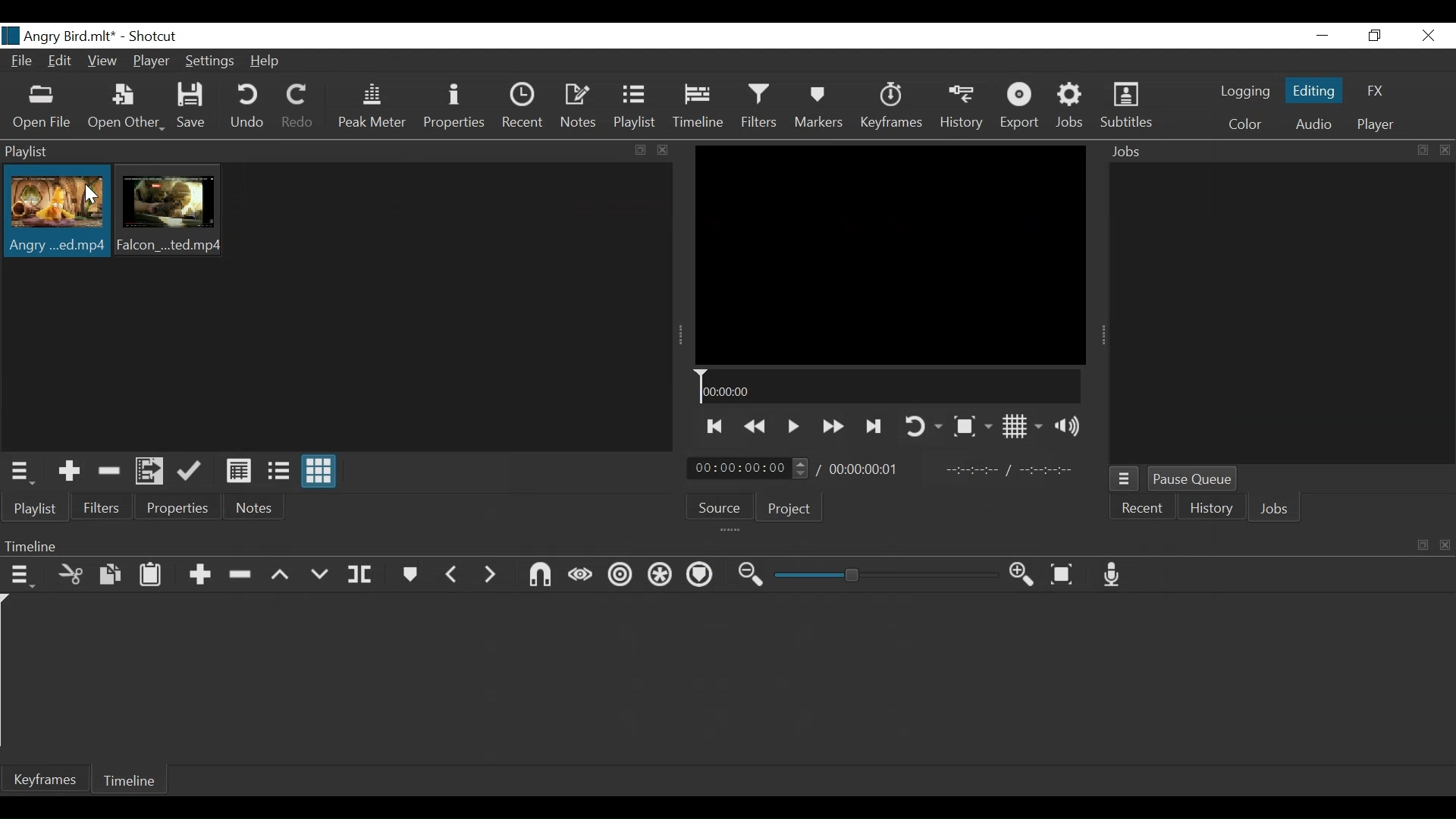  Describe the element at coordinates (44, 780) in the screenshot. I see `Keyframe` at that location.